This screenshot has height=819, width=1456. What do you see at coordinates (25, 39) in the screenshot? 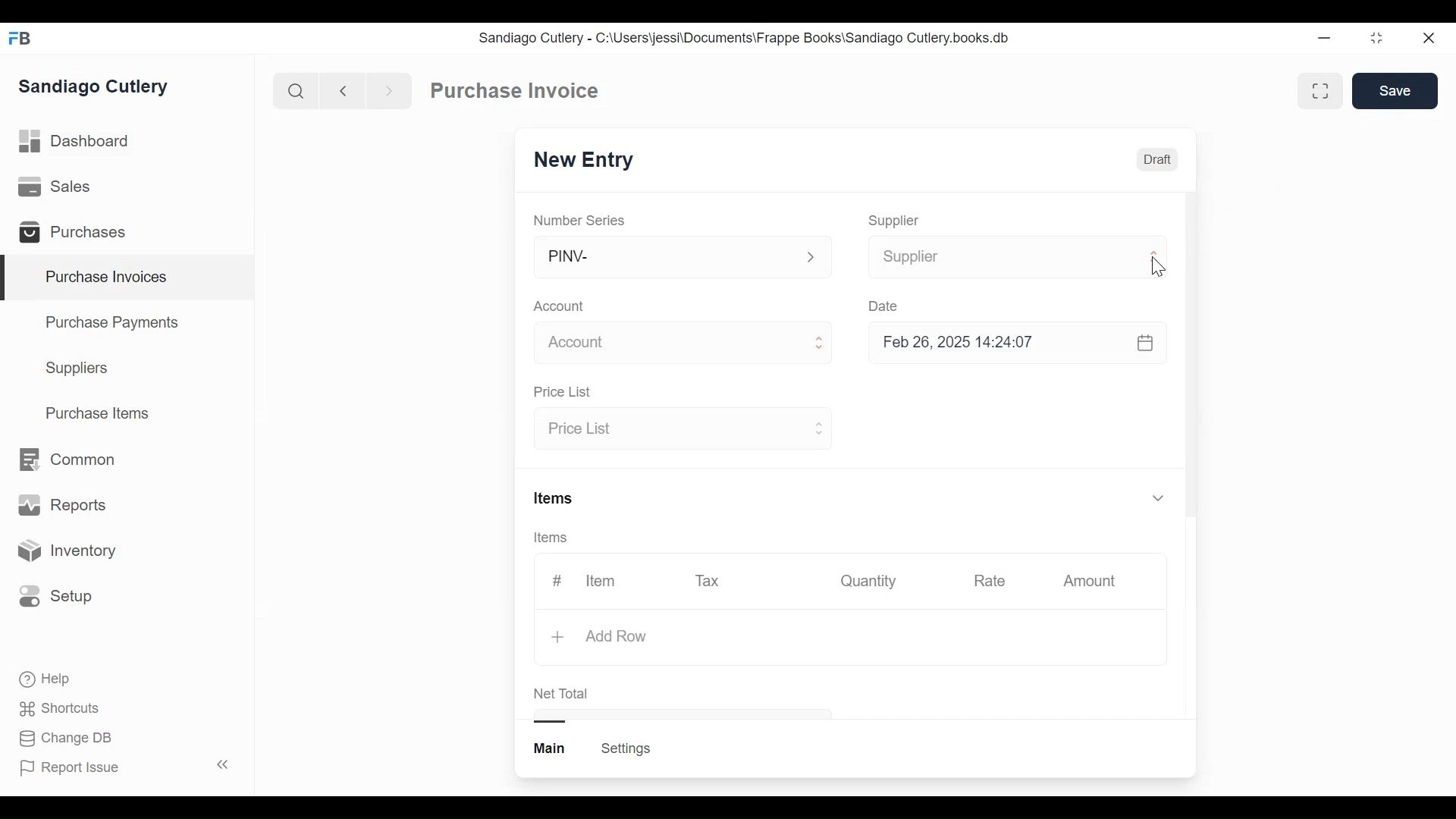
I see `Frappe Books Desktop icon` at bounding box center [25, 39].